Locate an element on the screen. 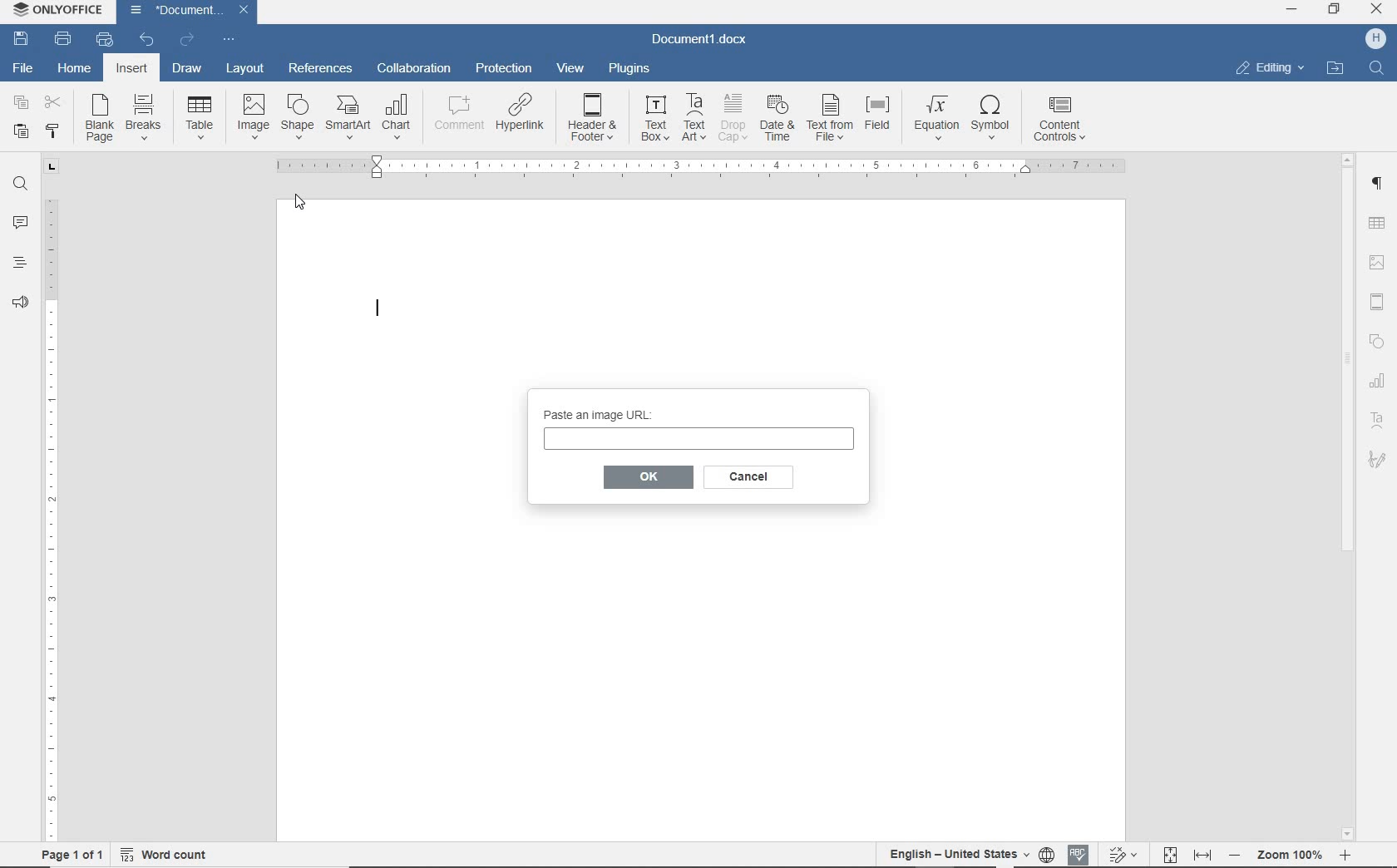  Text Cursor is located at coordinates (380, 309).